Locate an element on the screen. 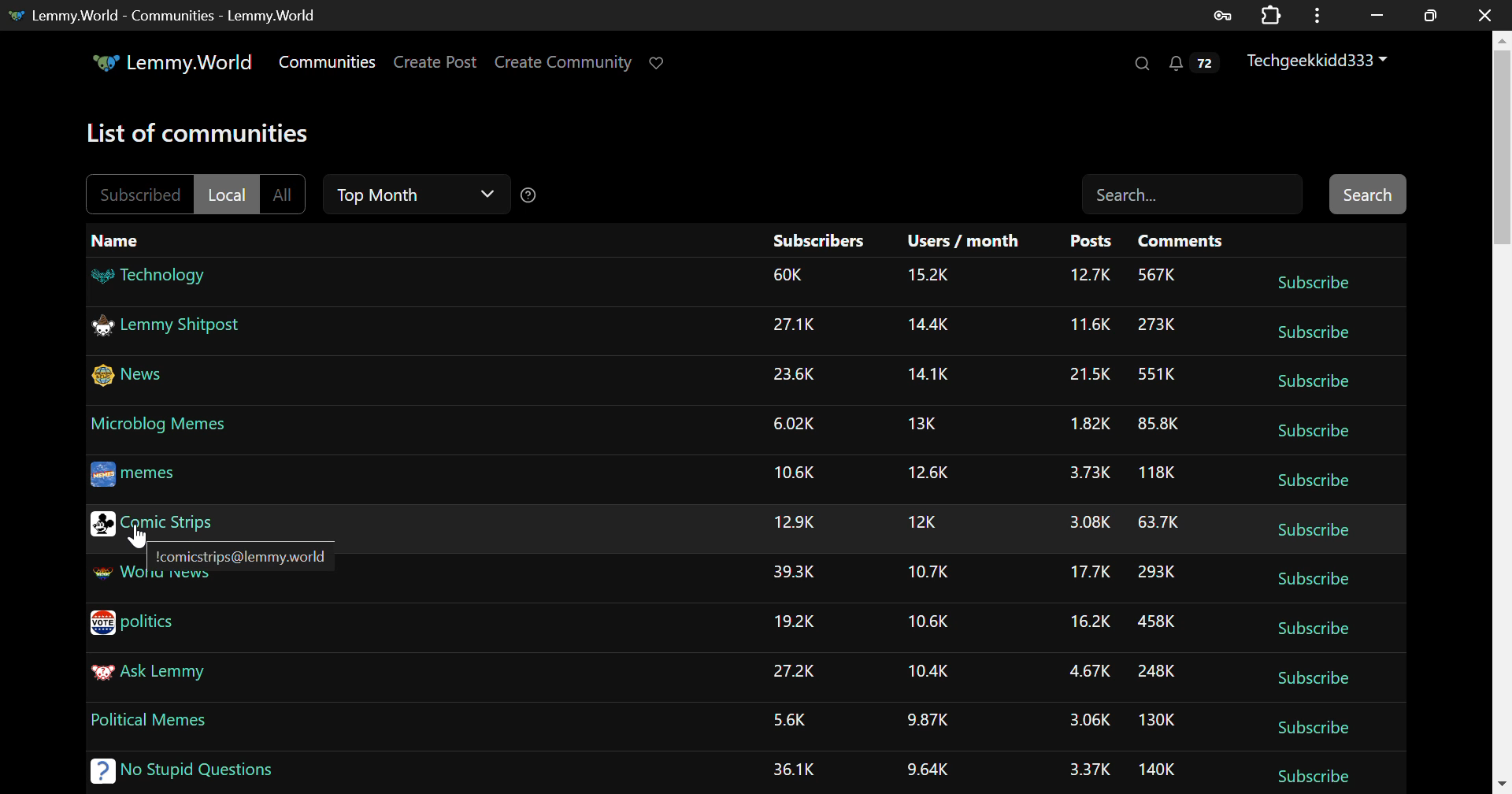 Image resolution: width=1512 pixels, height=794 pixels. Lemmy Shitpost is located at coordinates (175, 331).